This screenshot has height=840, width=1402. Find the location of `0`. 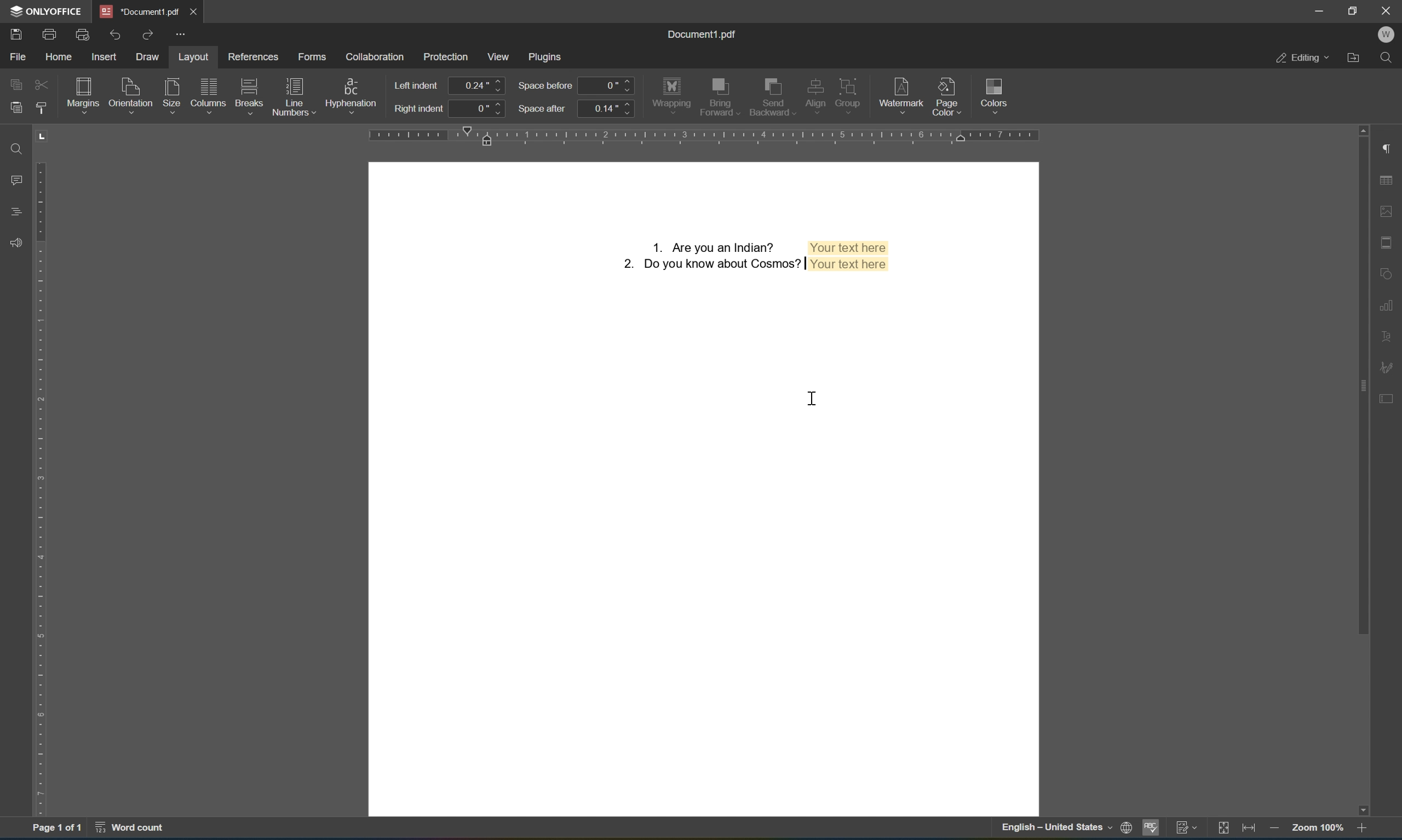

0 is located at coordinates (607, 84).